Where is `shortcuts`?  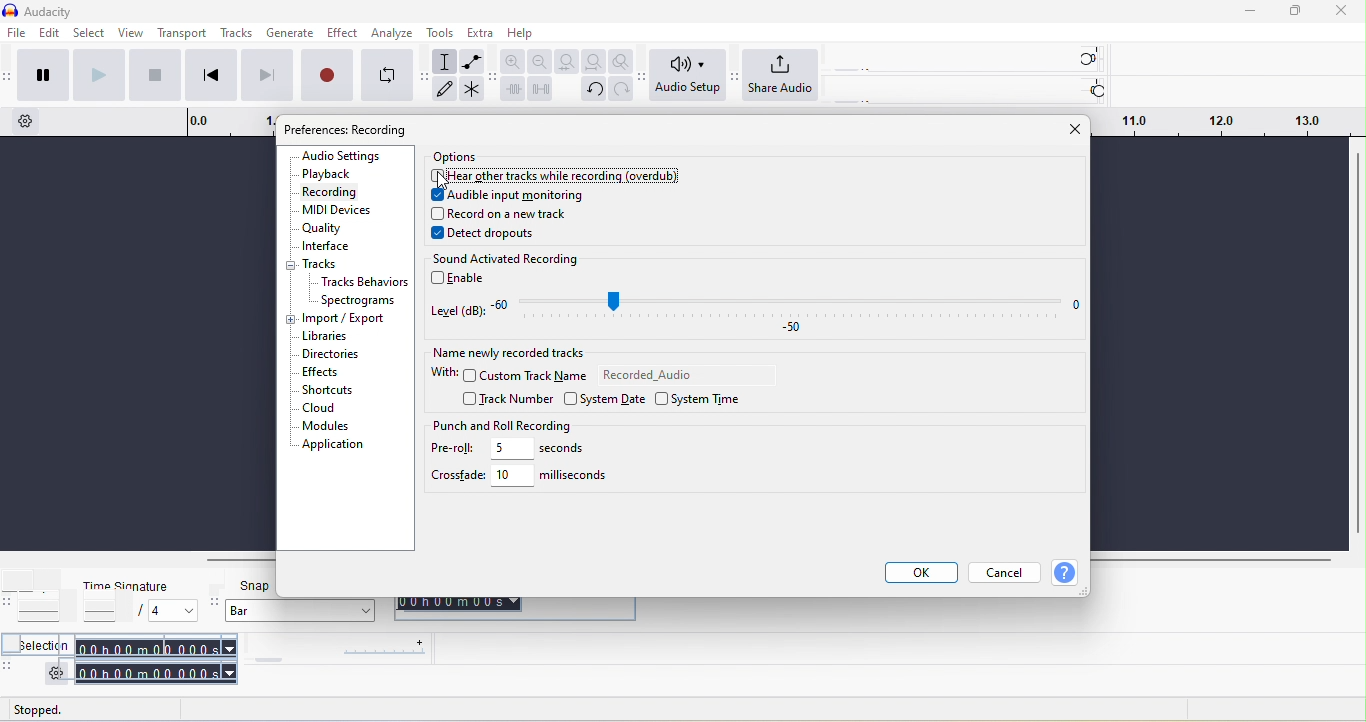
shortcuts is located at coordinates (328, 389).